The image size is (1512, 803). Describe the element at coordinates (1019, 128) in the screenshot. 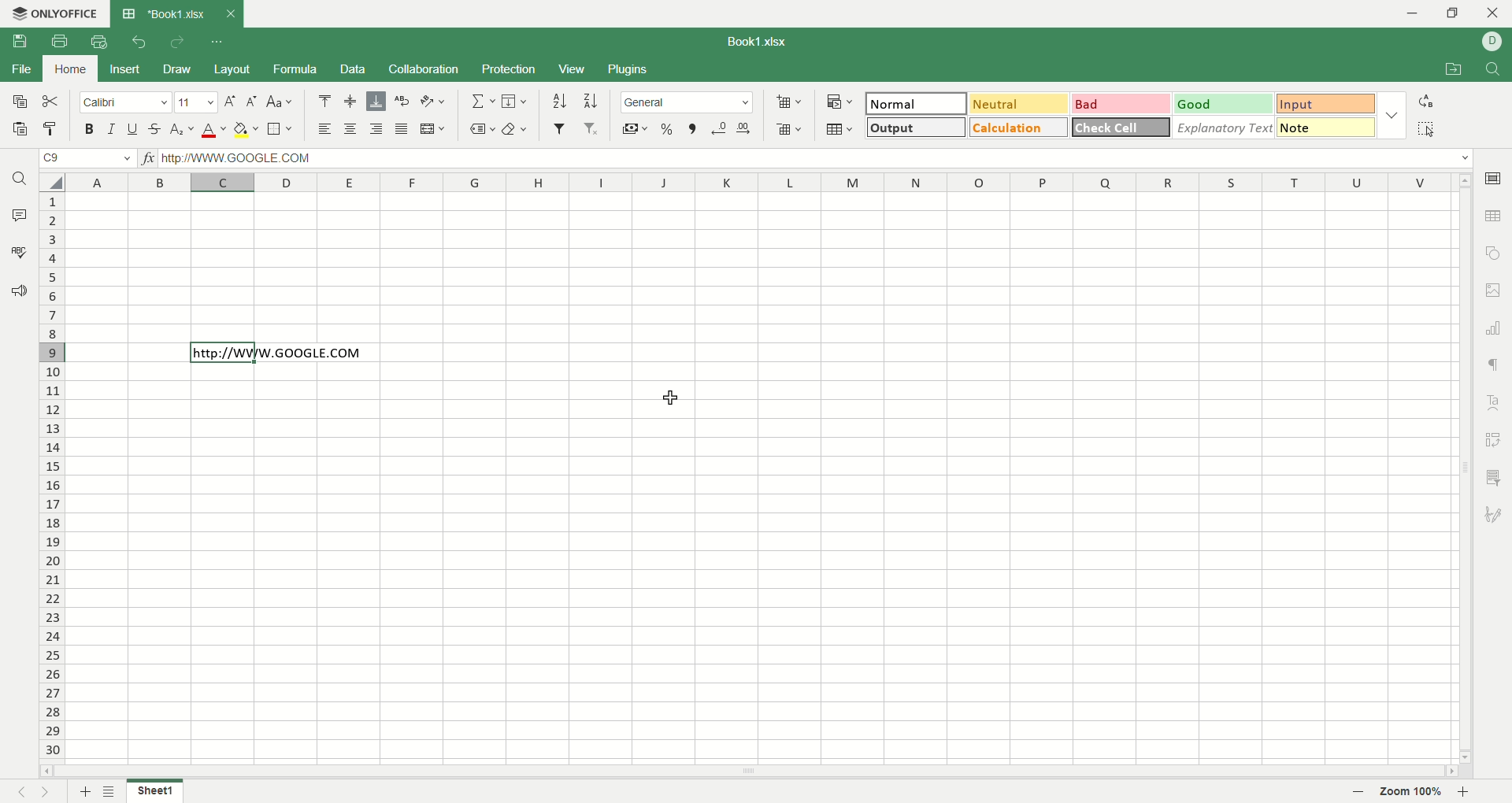

I see `calculation` at that location.